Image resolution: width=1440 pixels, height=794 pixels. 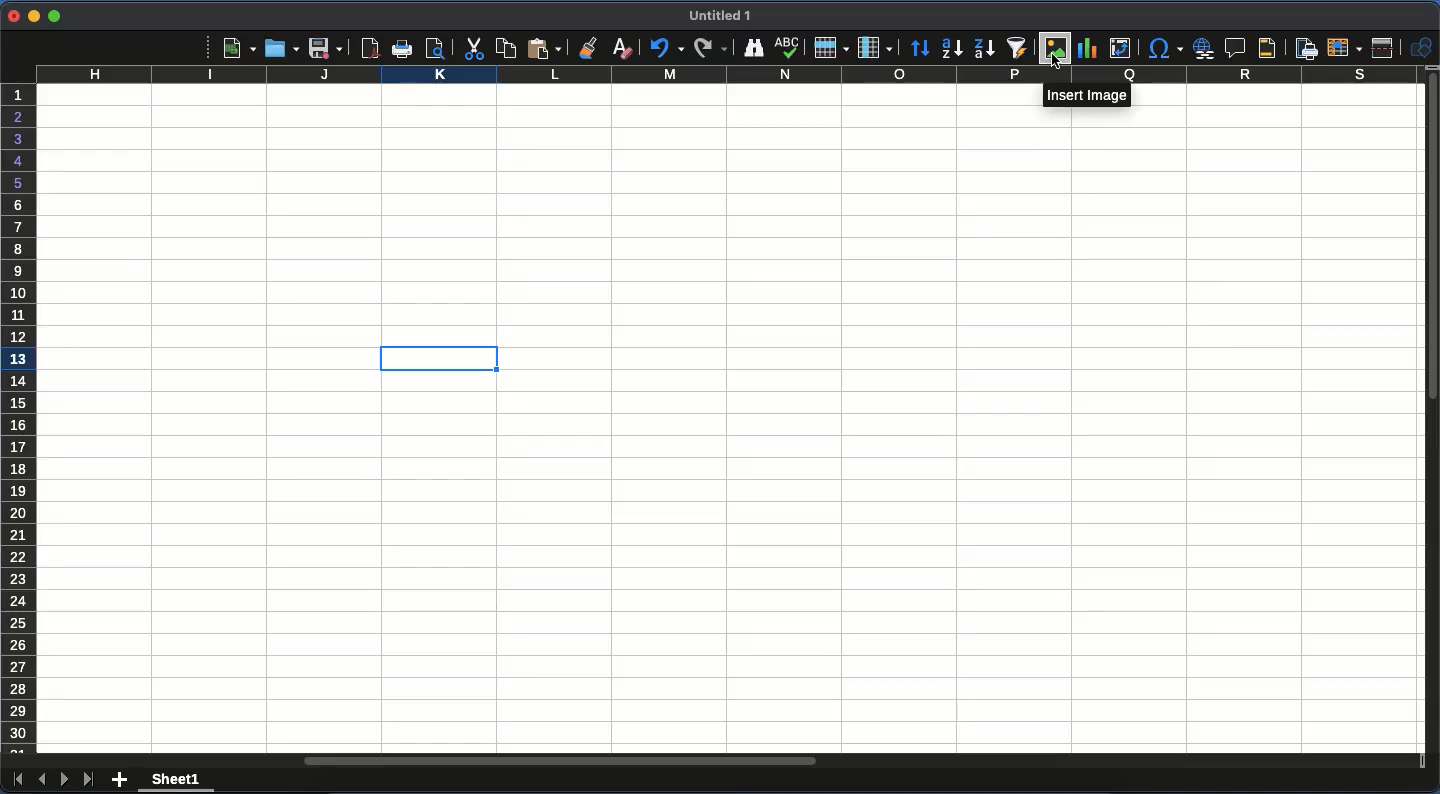 I want to click on paste, so click(x=505, y=47).